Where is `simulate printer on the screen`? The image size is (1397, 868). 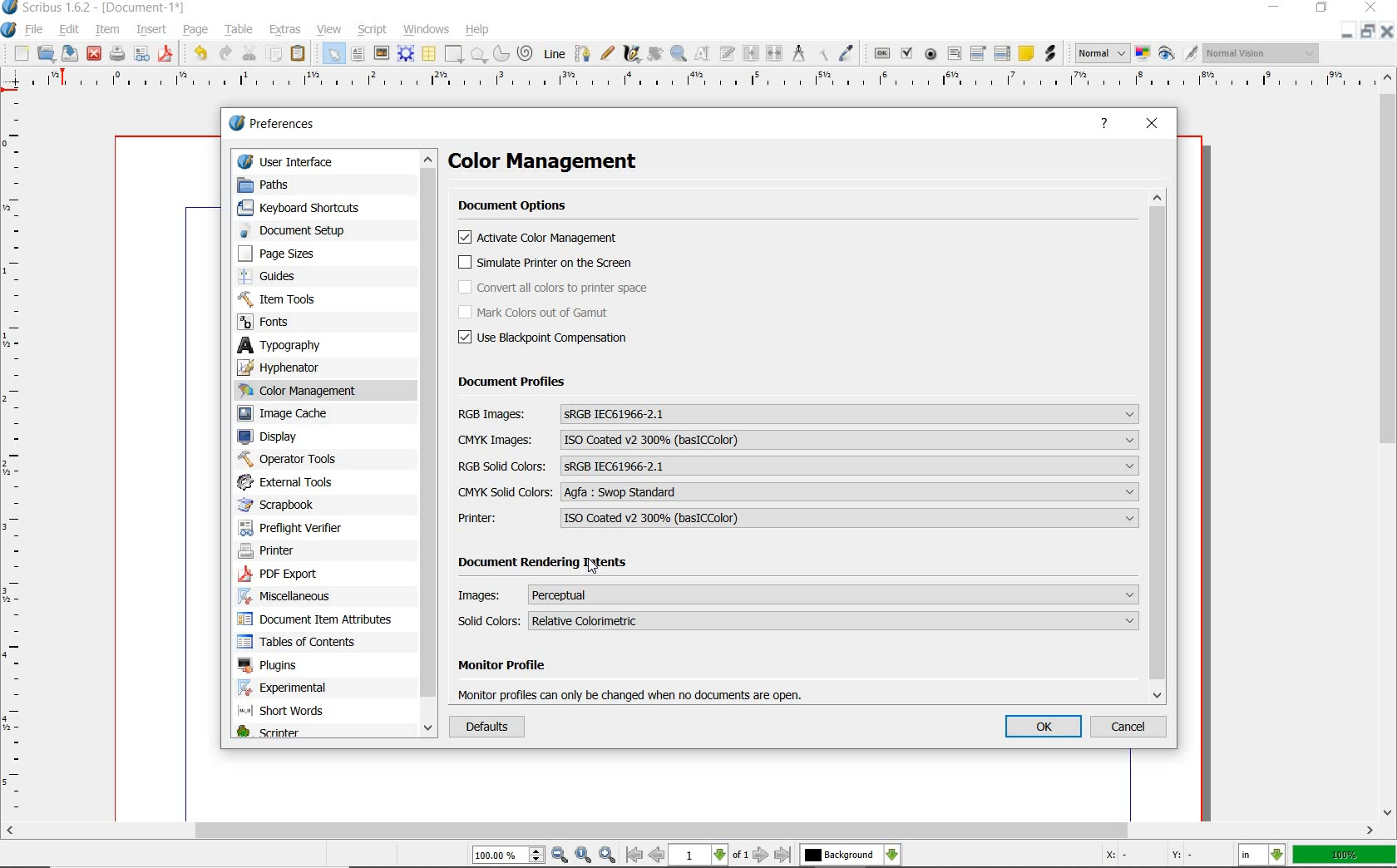
simulate printer on the screen is located at coordinates (546, 264).